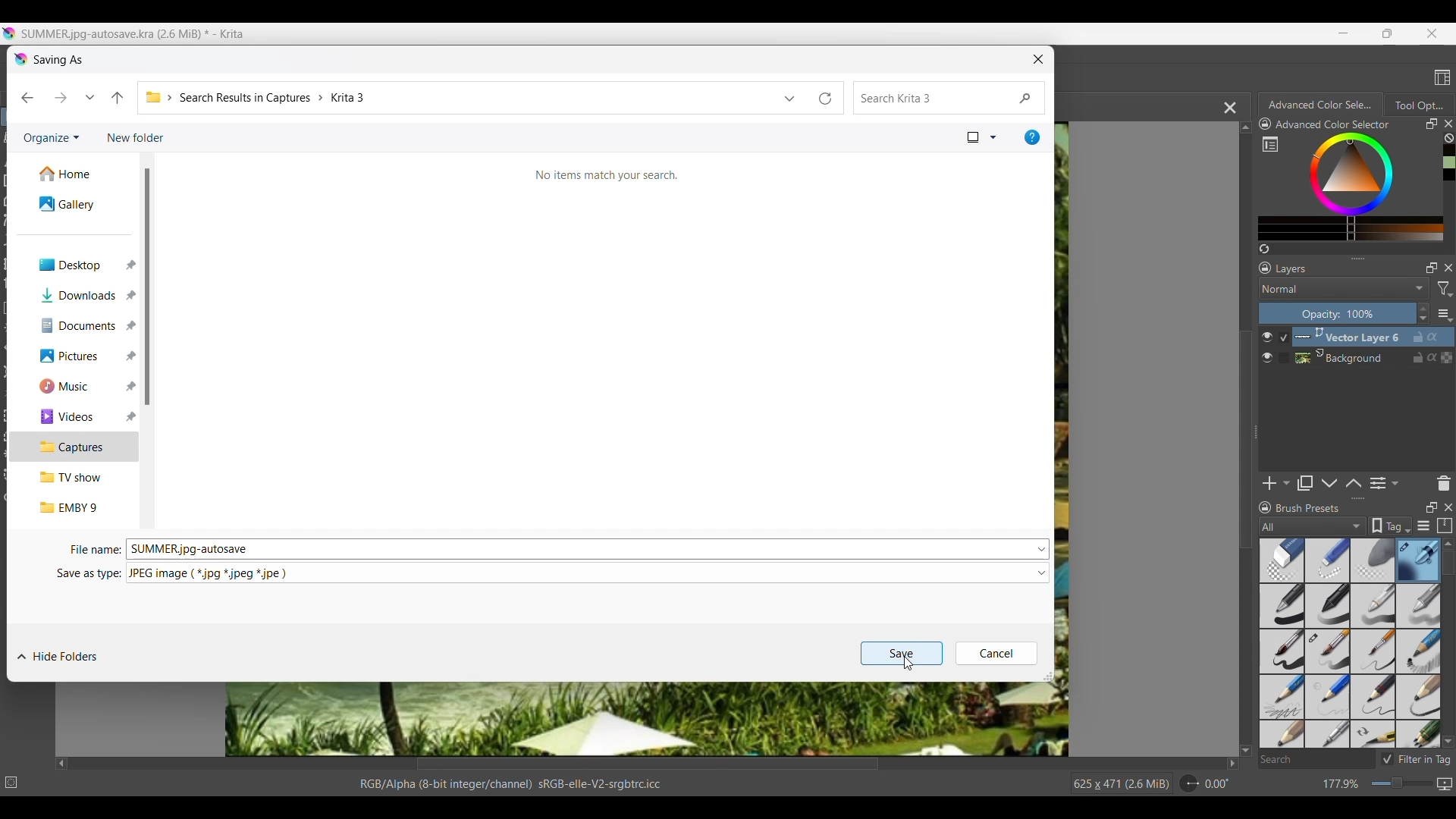  I want to click on Color range for selection, so click(1360, 187).